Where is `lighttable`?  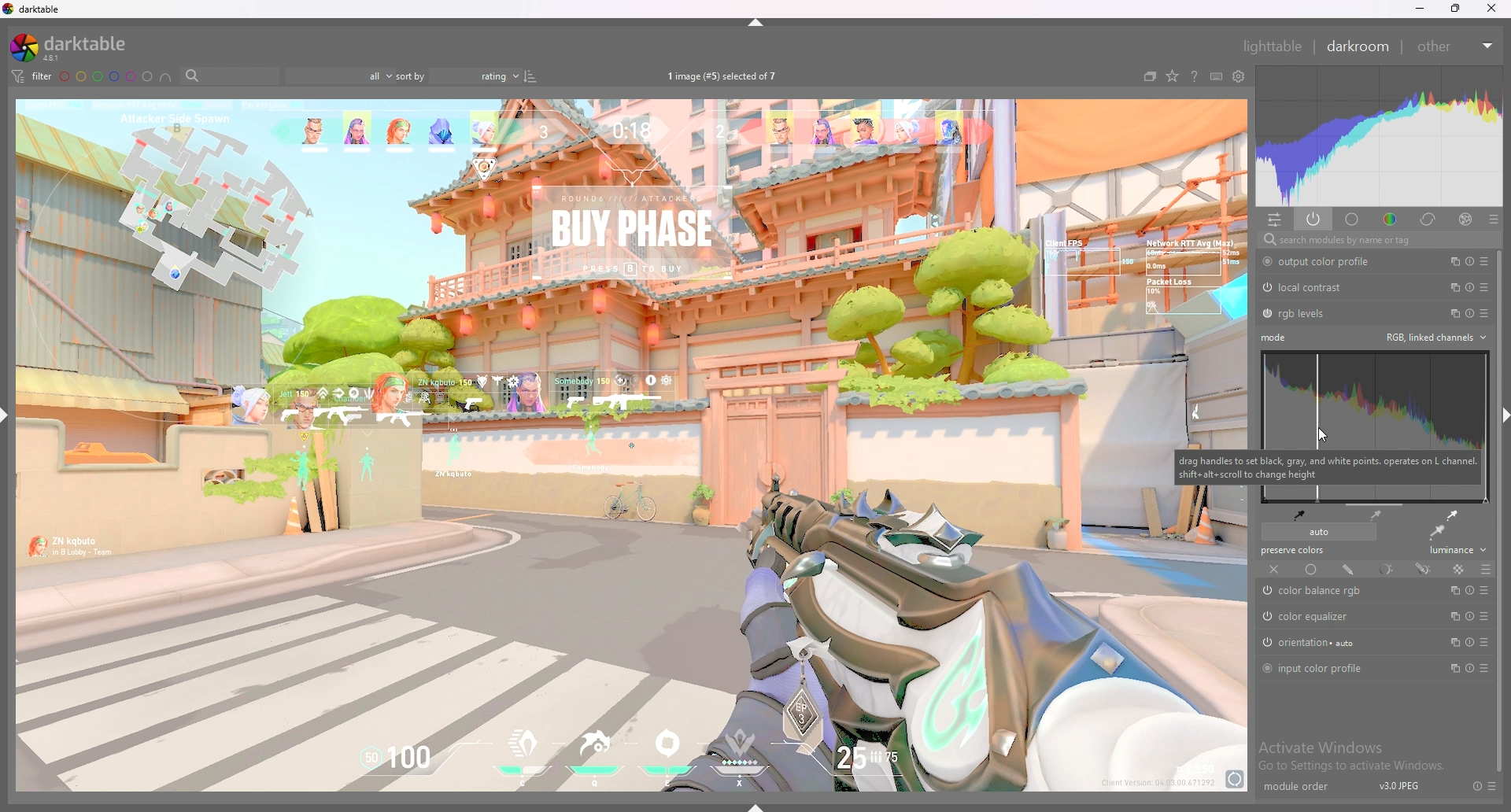
lighttable is located at coordinates (1273, 46).